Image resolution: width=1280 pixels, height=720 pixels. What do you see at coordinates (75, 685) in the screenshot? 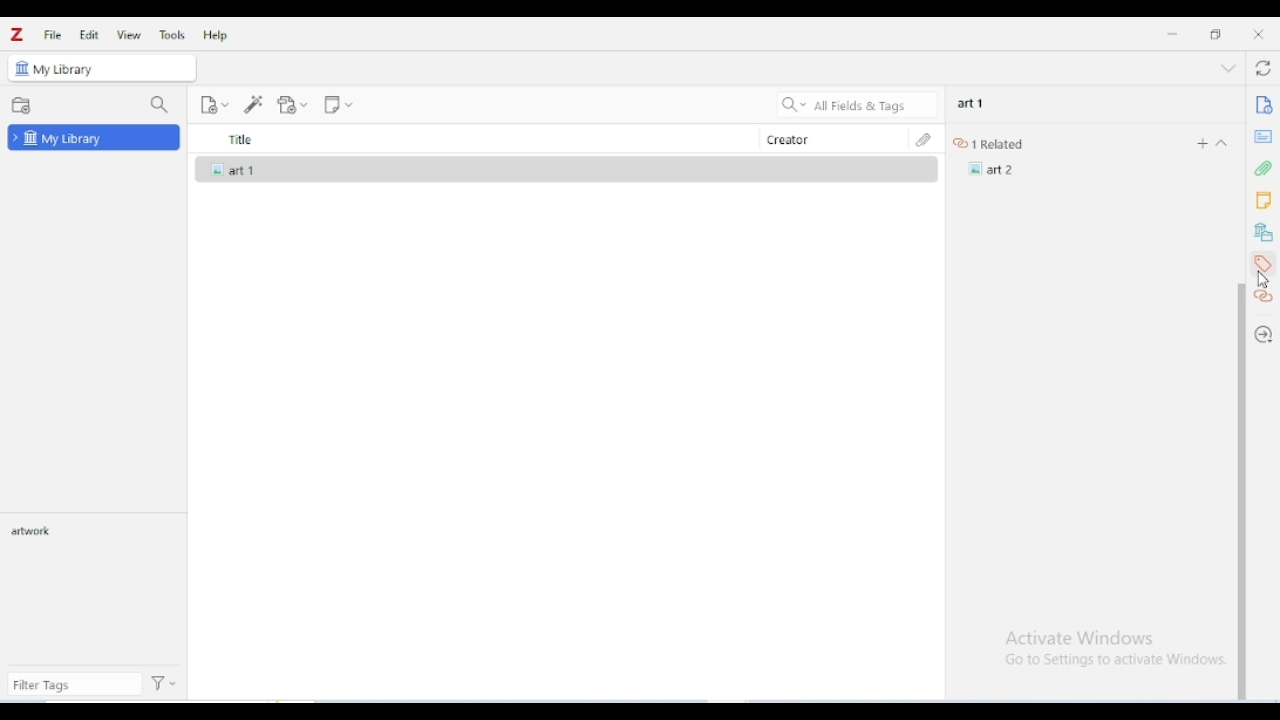
I see `filter tags` at bounding box center [75, 685].